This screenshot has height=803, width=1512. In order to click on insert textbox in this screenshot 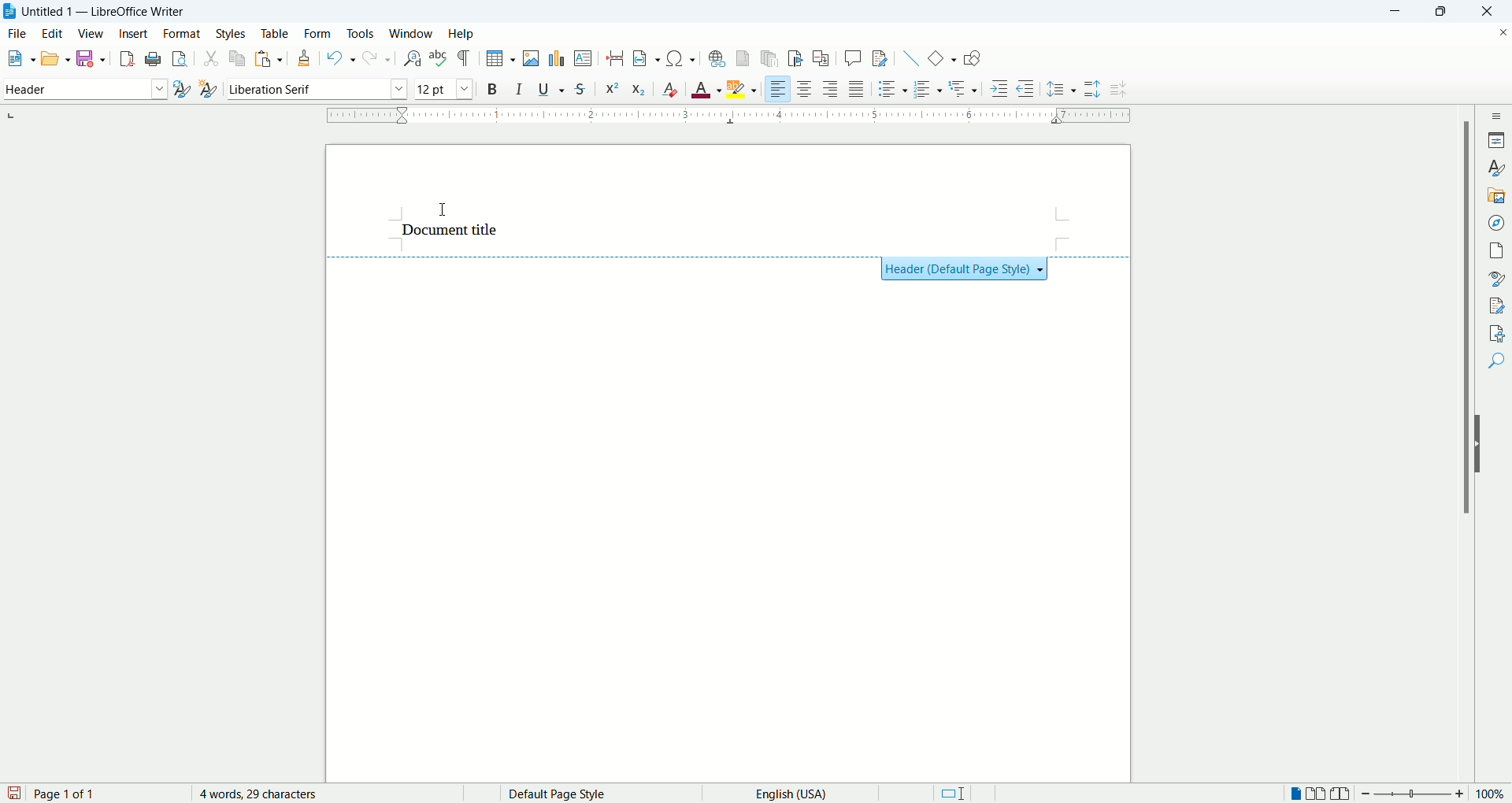, I will do `click(583, 57)`.